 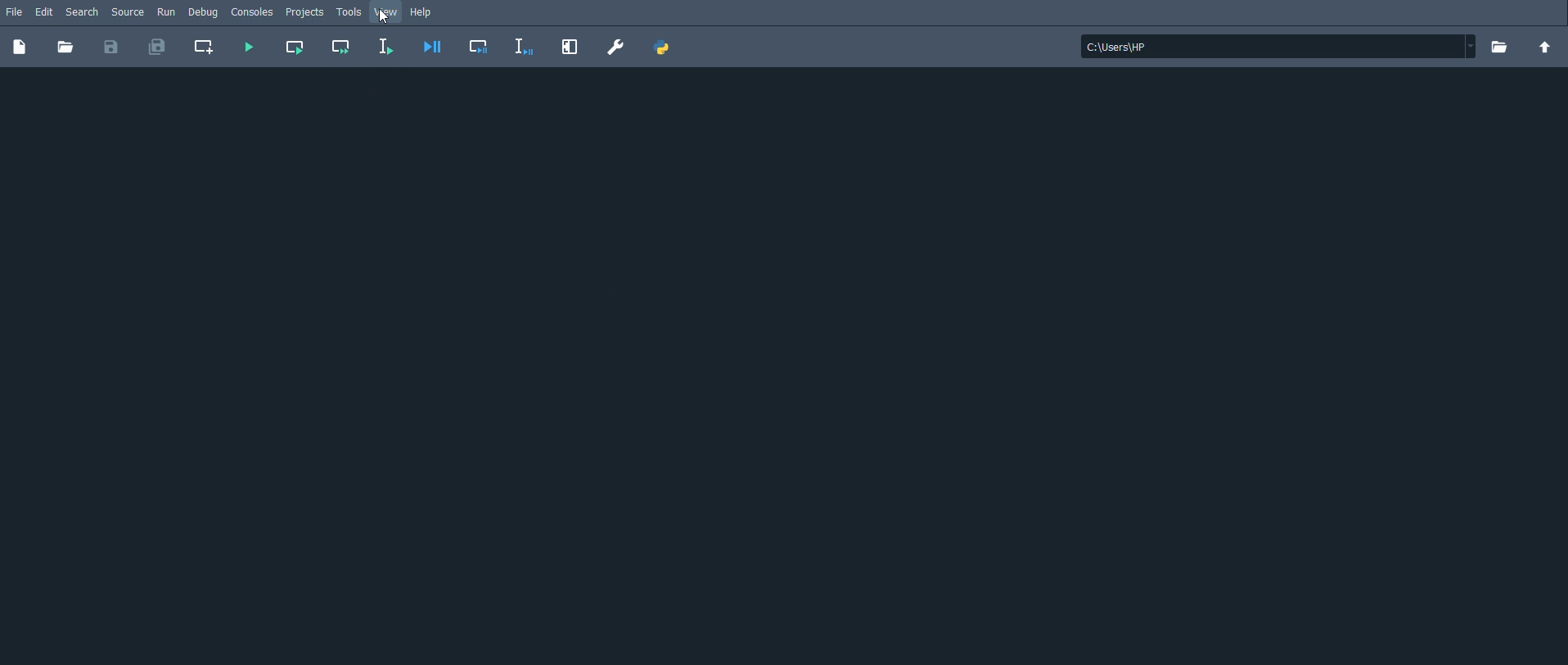 I want to click on Open file, so click(x=65, y=48).